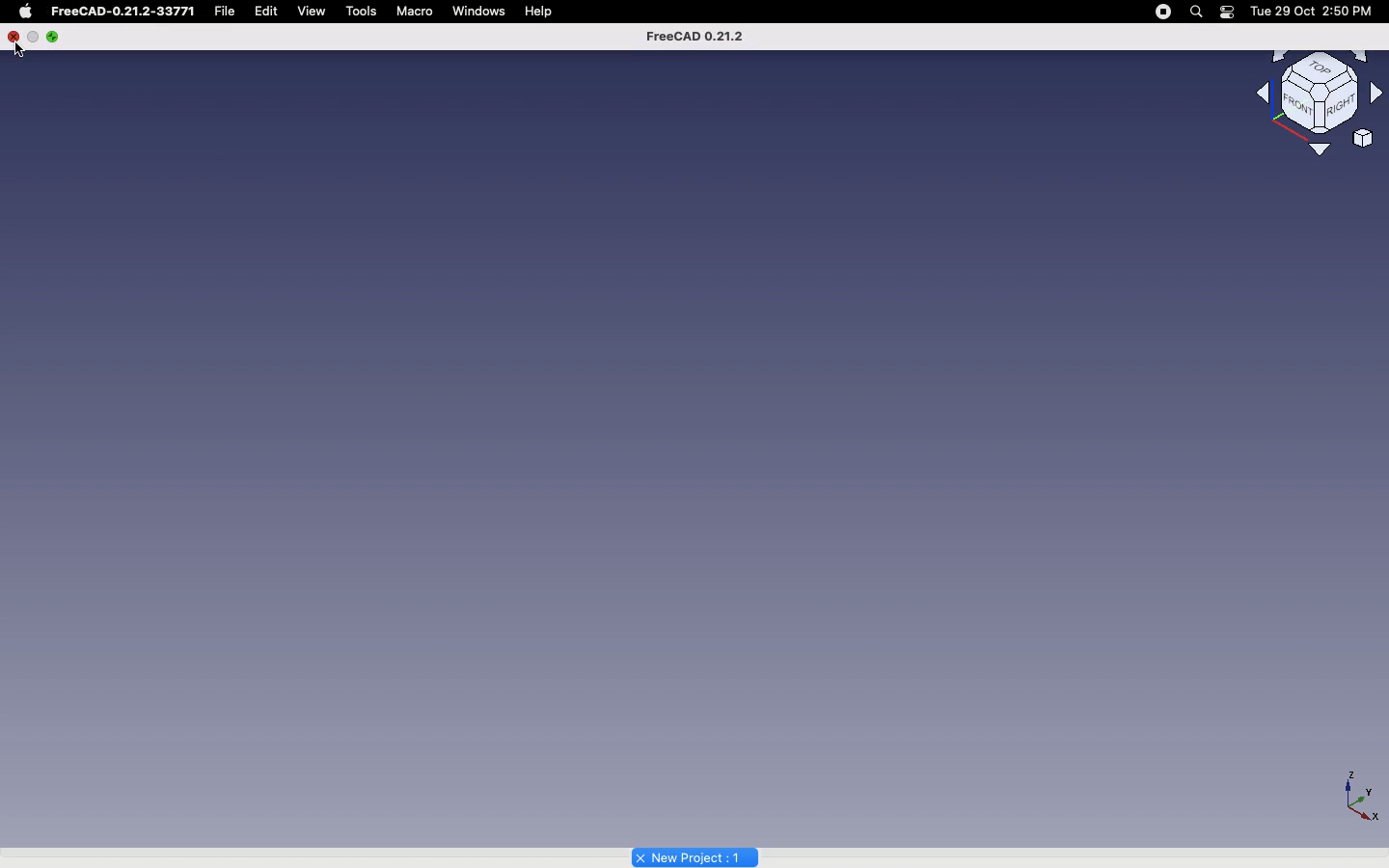 The height and width of the screenshot is (868, 1389). I want to click on Tools, so click(364, 10).